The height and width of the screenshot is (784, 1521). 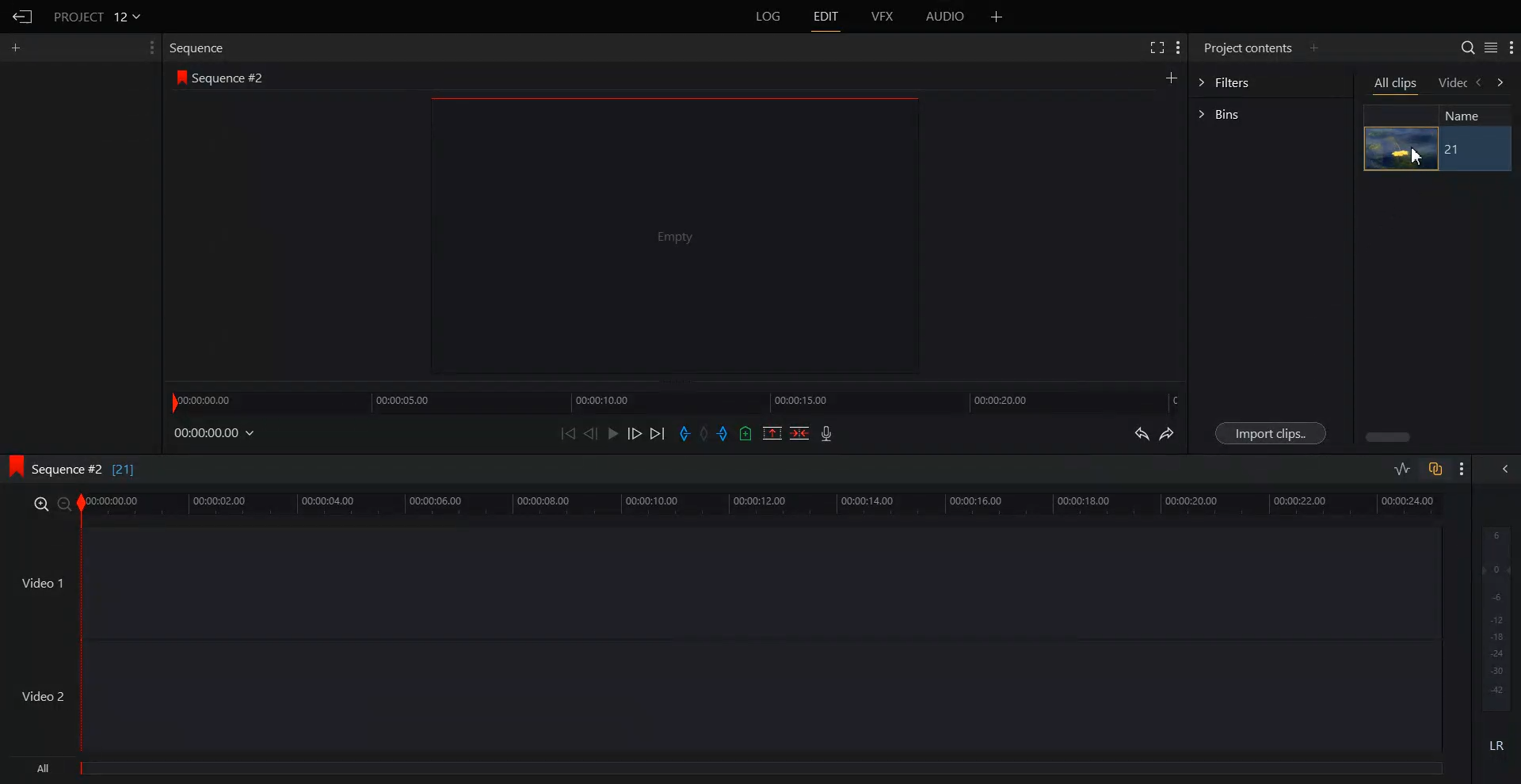 What do you see at coordinates (684, 433) in the screenshot?
I see `Add an in Mark to current position` at bounding box center [684, 433].